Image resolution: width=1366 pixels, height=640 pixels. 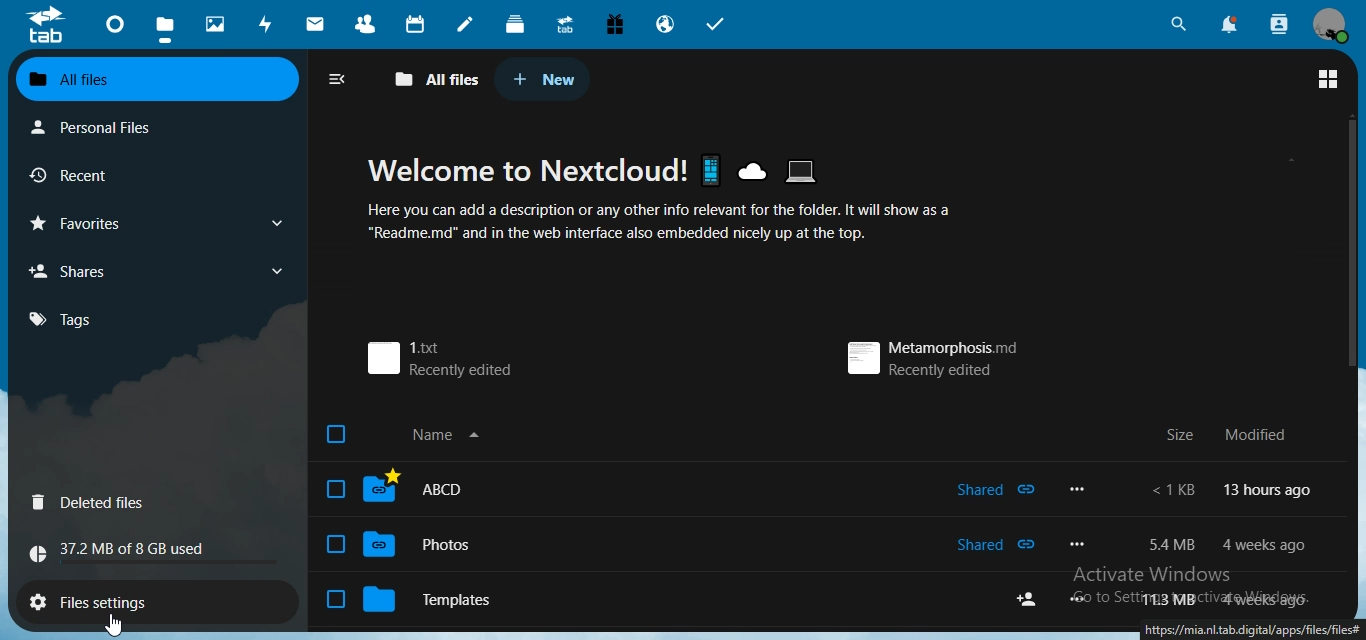 What do you see at coordinates (331, 488) in the screenshot?
I see `checkbox` at bounding box center [331, 488].